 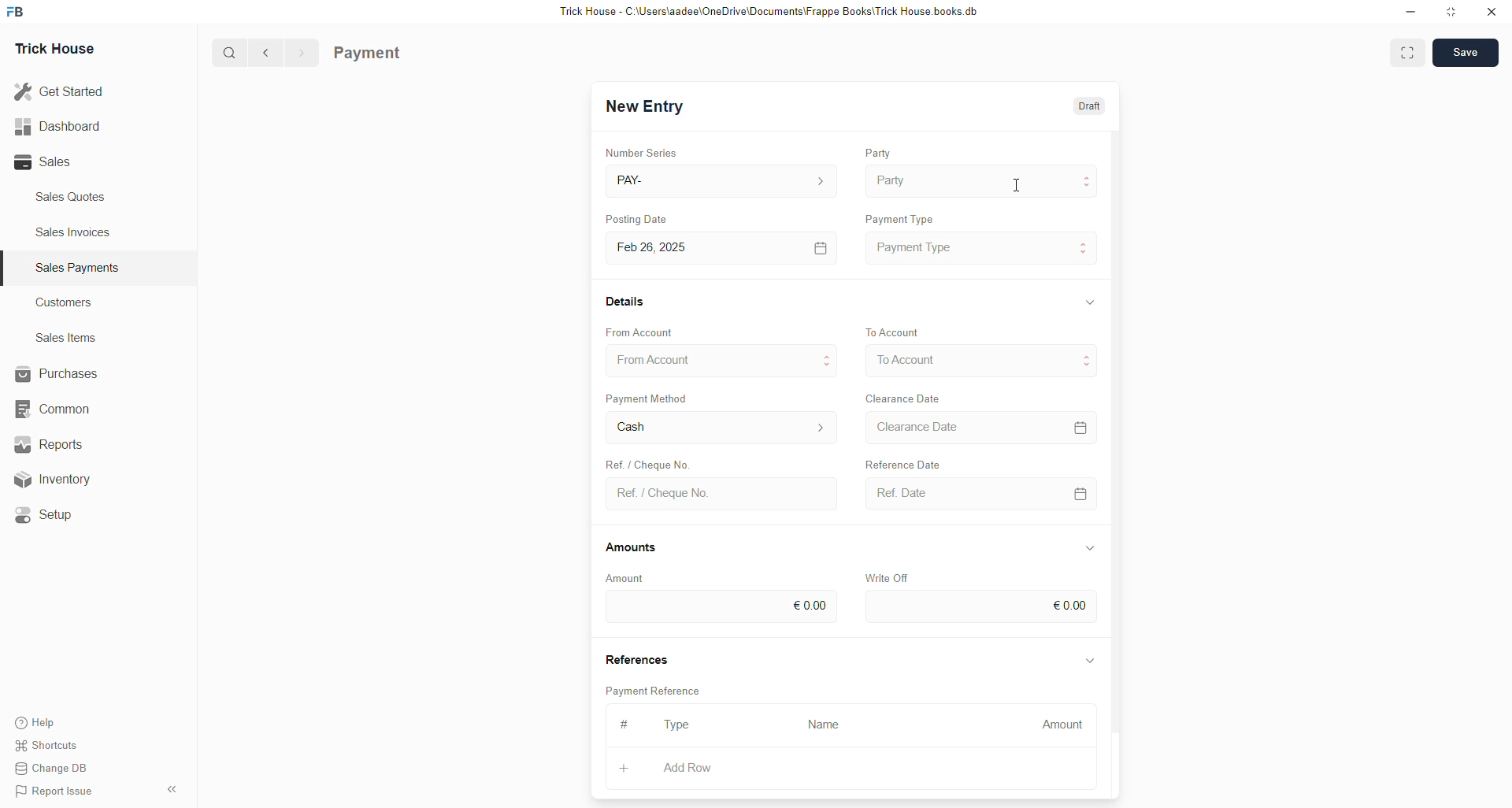 I want to click on €0.00, so click(x=720, y=607).